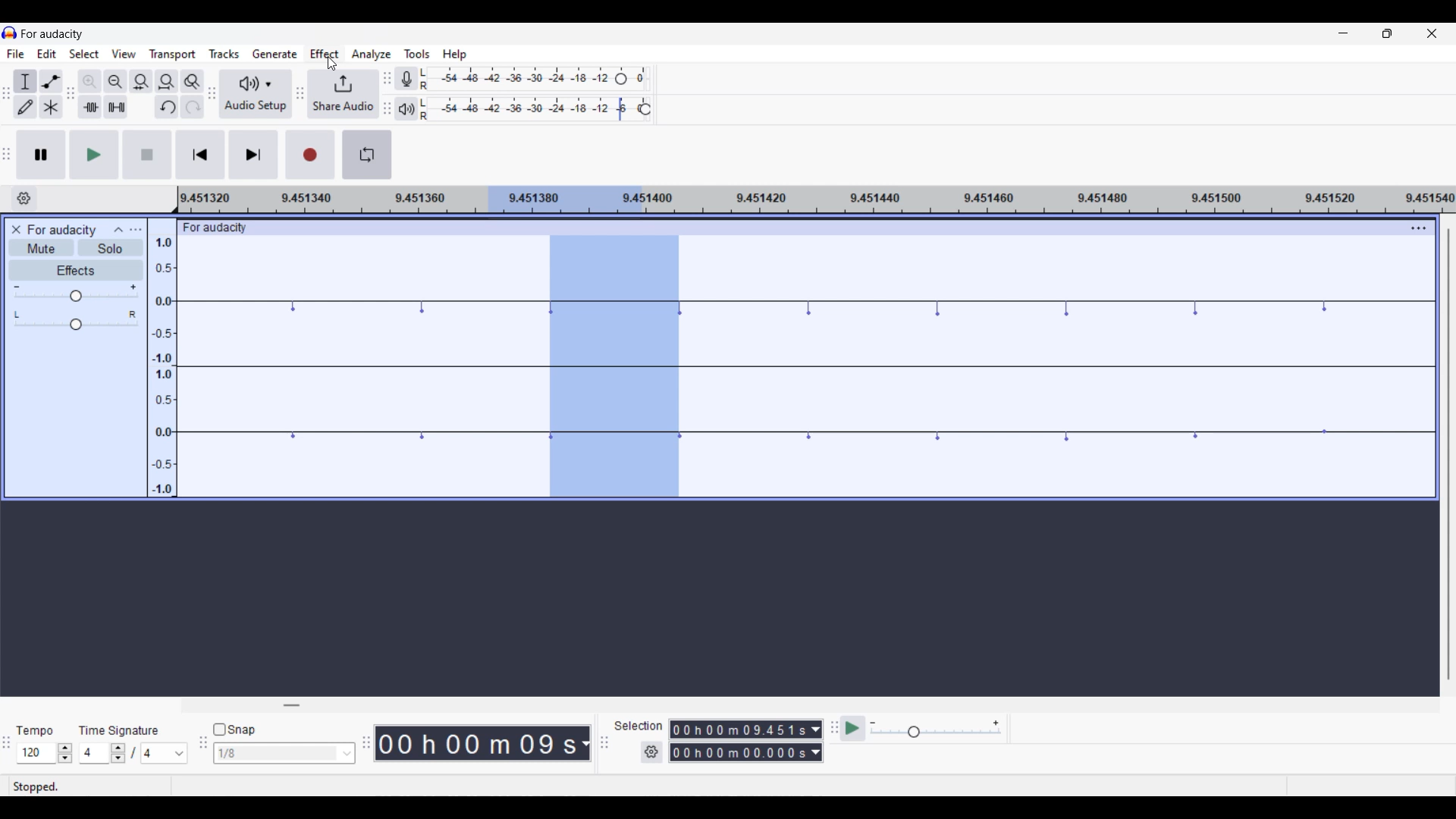  Describe the element at coordinates (76, 320) in the screenshot. I see `Pan scale` at that location.